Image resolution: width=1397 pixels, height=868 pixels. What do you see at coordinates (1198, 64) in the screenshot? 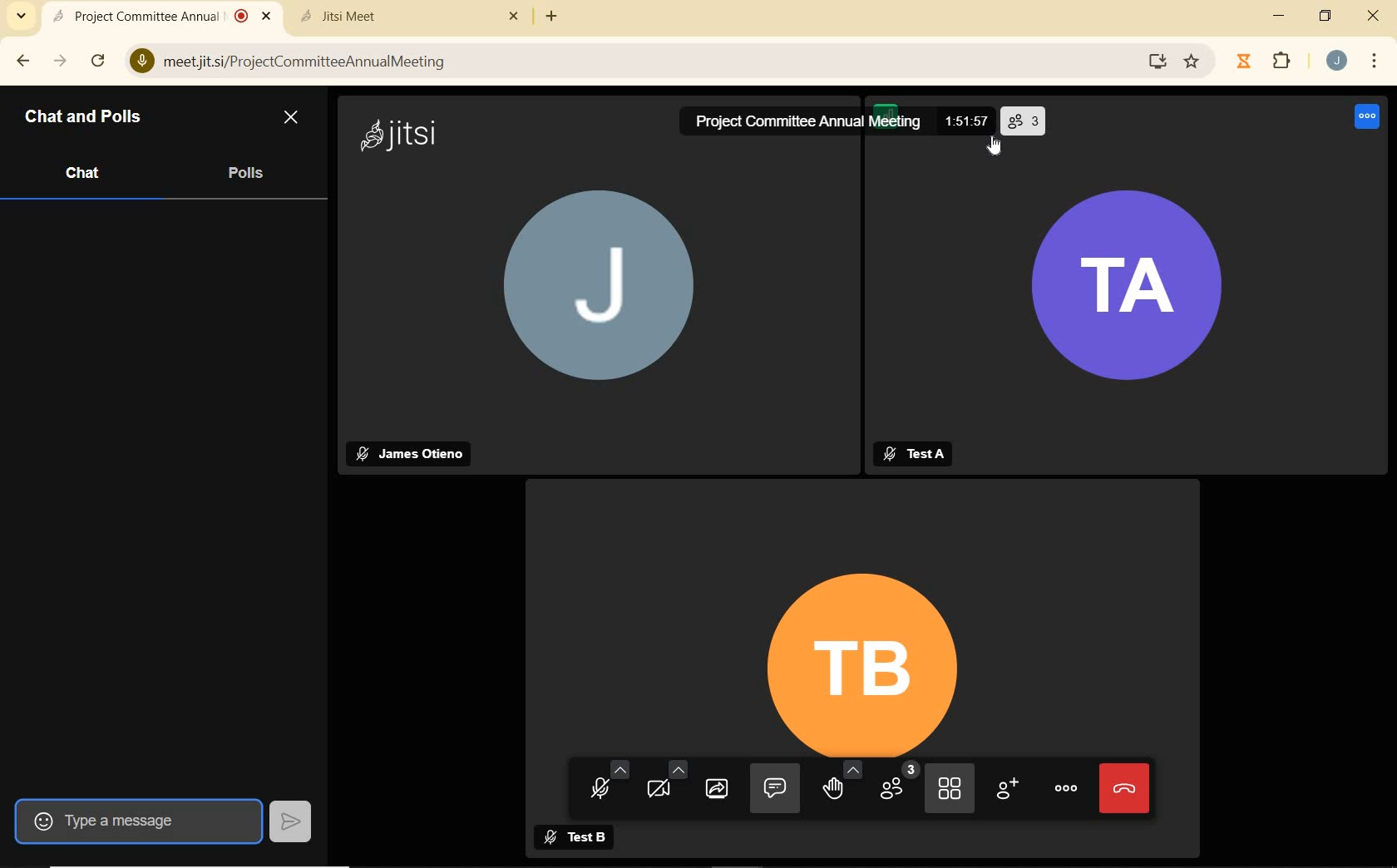
I see `Bookmark this Tab` at bounding box center [1198, 64].